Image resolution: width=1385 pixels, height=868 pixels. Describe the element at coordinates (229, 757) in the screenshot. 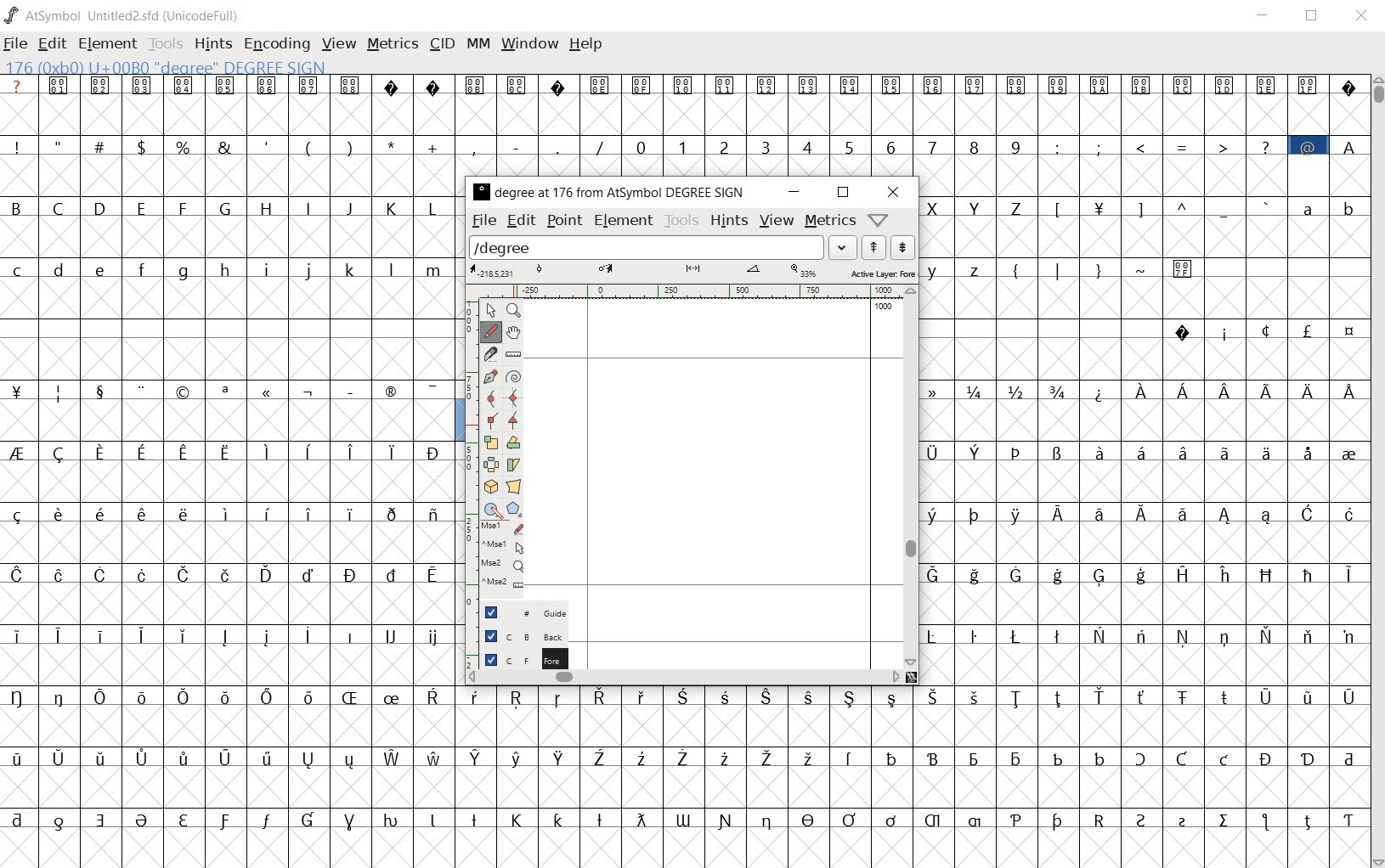

I see `special letters` at that location.